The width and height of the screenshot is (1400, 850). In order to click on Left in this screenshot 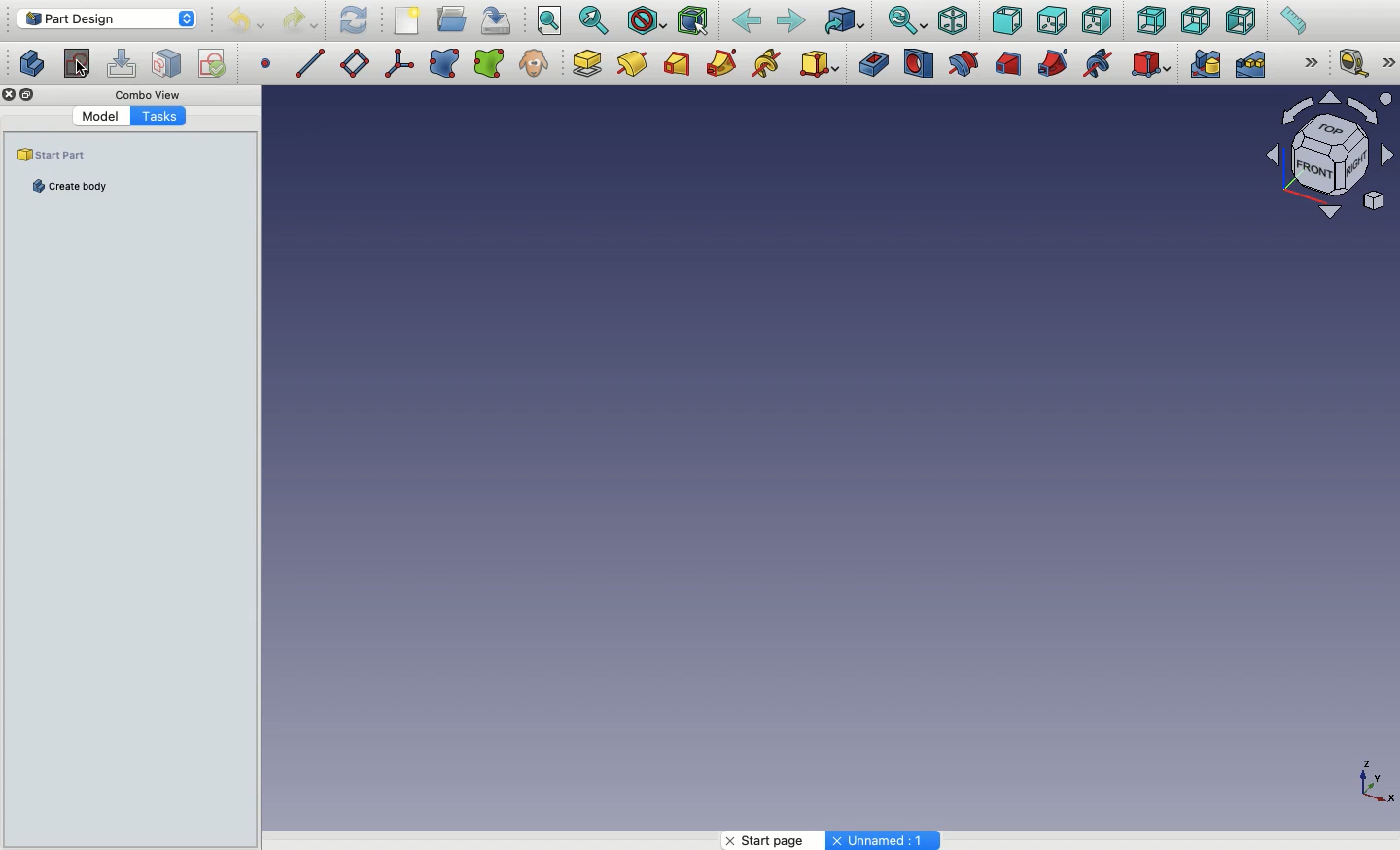, I will do `click(1240, 21)`.